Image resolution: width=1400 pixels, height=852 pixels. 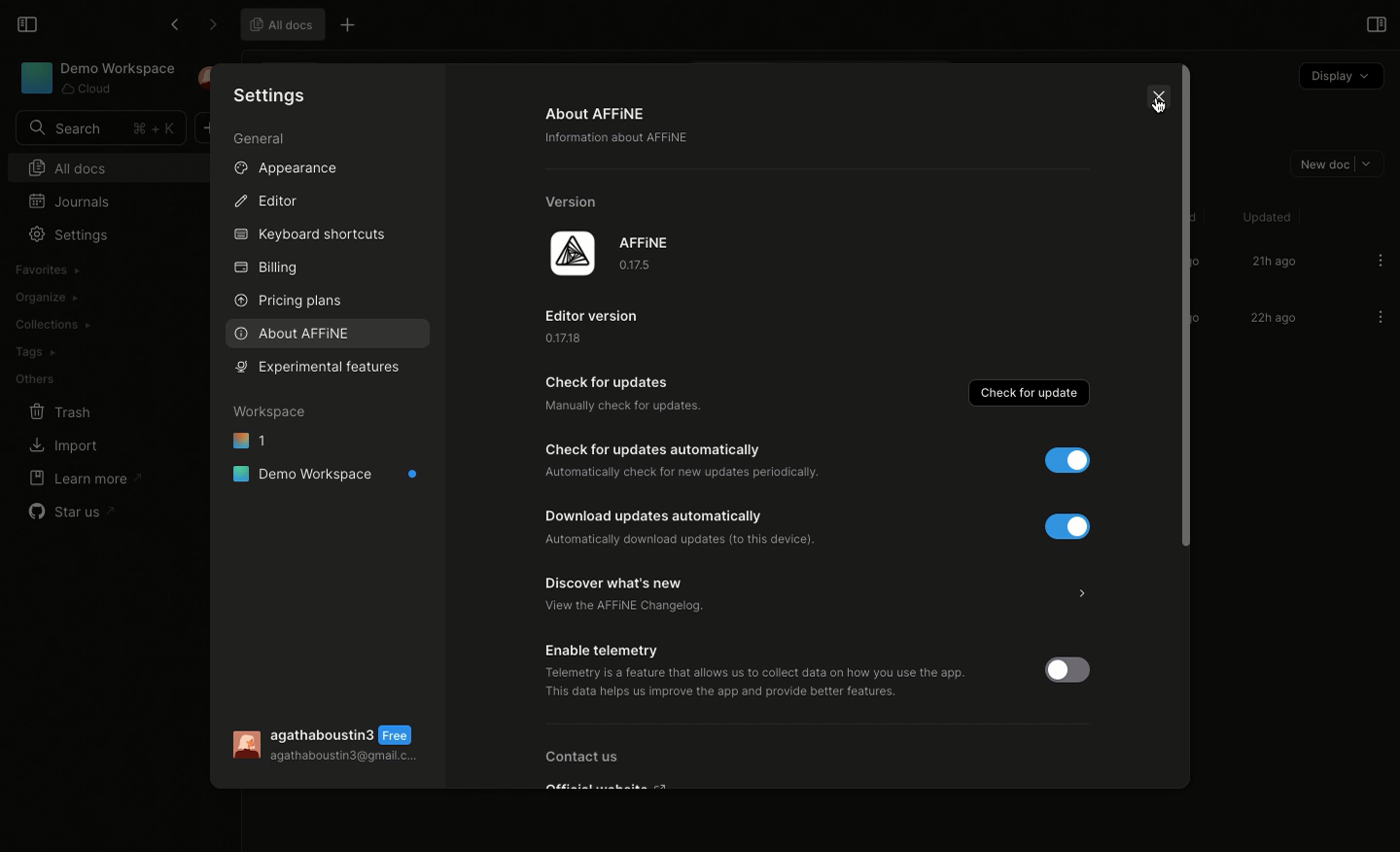 What do you see at coordinates (711, 526) in the screenshot?
I see `Download update automatically` at bounding box center [711, 526].